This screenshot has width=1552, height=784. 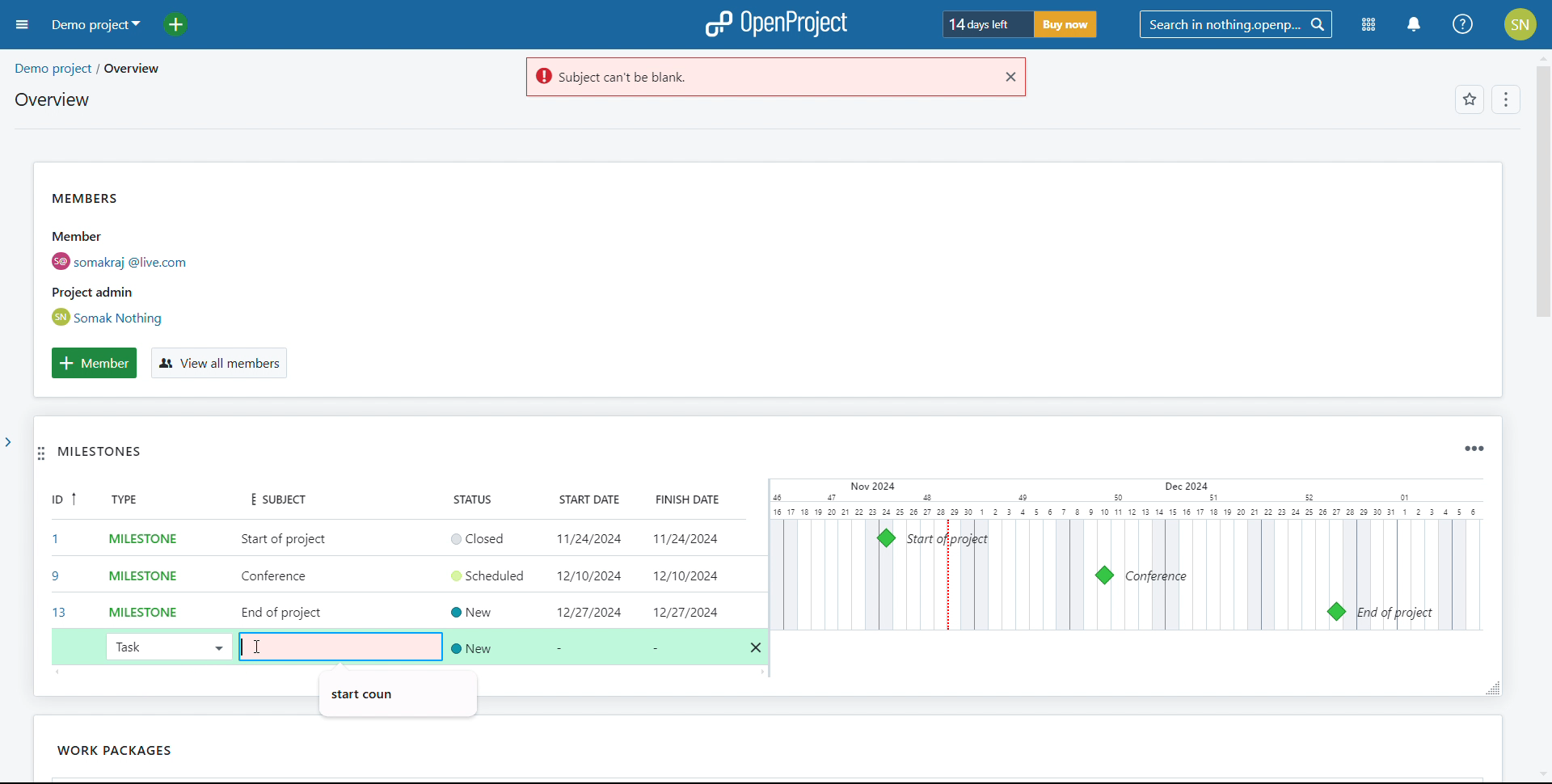 I want to click on close warning, so click(x=1009, y=77).